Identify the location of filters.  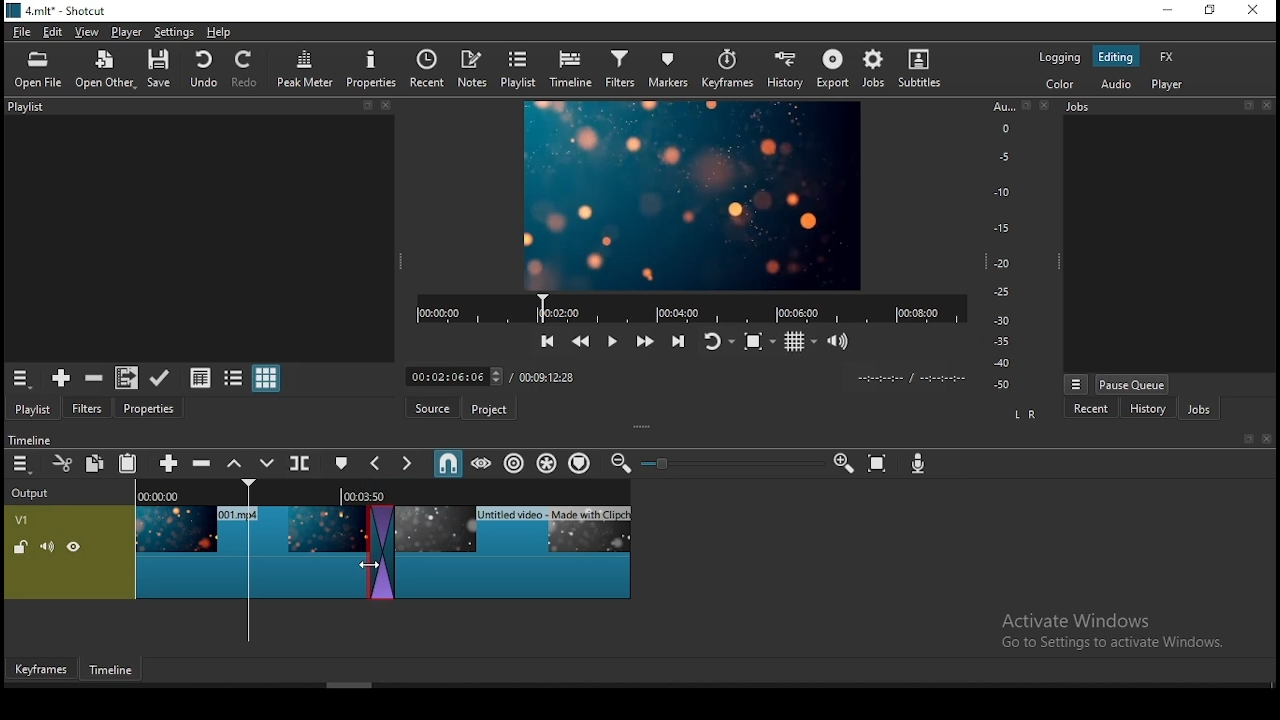
(90, 406).